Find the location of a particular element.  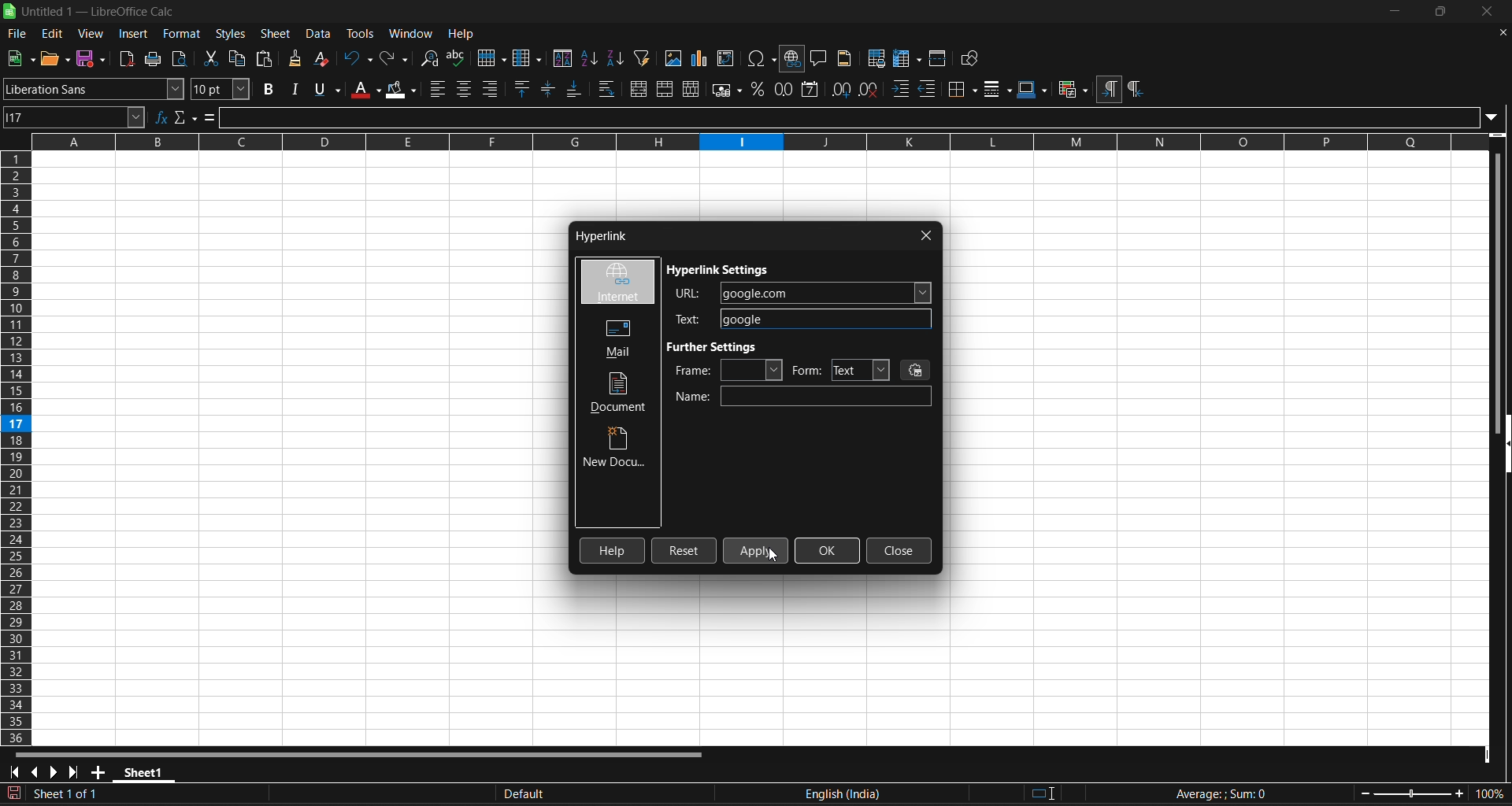

center vertically is located at coordinates (550, 88).